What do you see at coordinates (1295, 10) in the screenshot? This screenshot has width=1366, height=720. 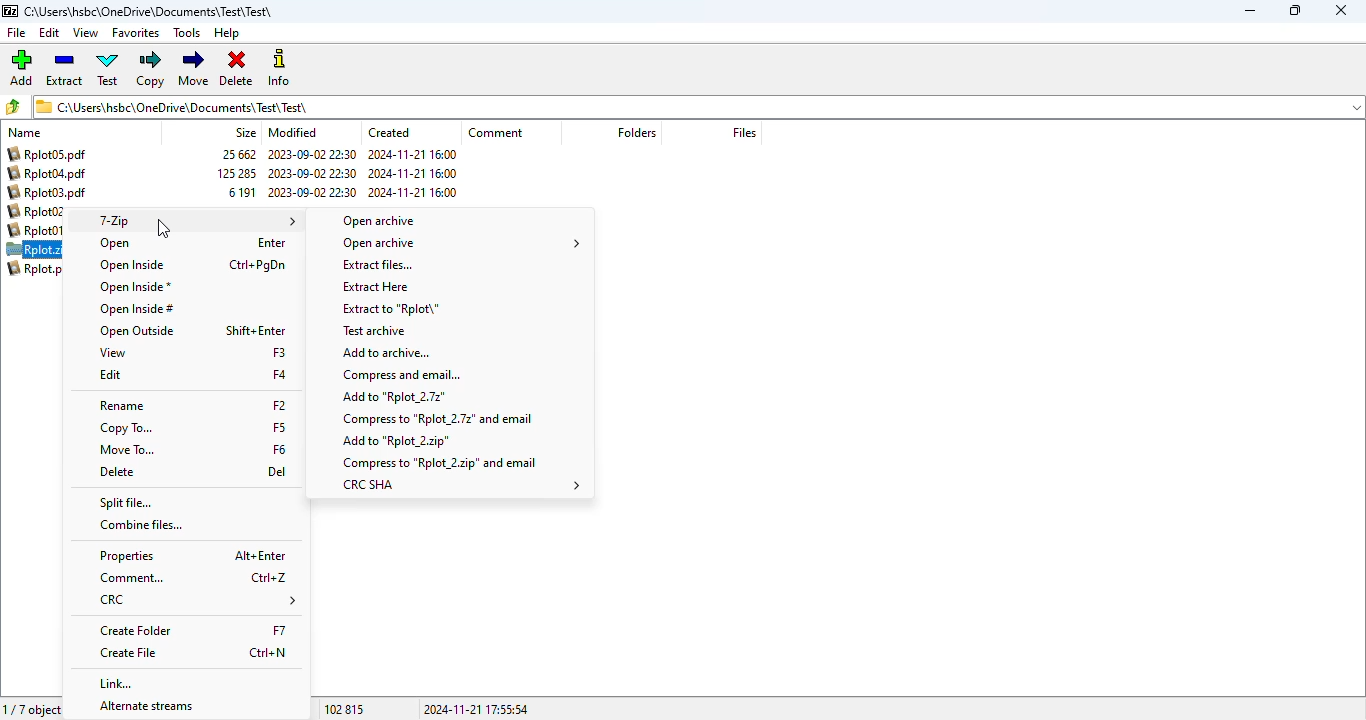 I see `maximize` at bounding box center [1295, 10].